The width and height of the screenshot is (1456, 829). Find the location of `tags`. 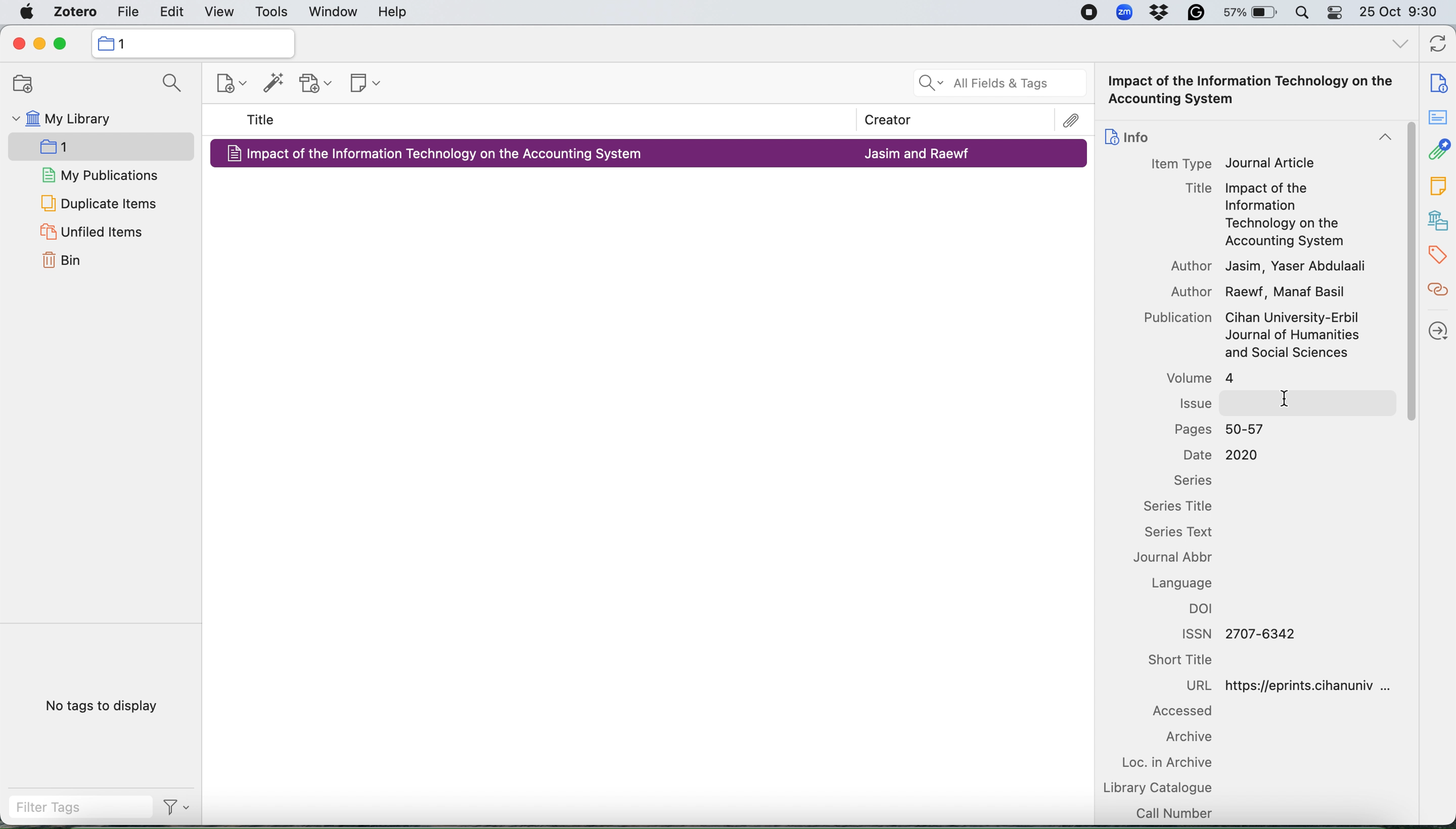

tags is located at coordinates (1436, 187).